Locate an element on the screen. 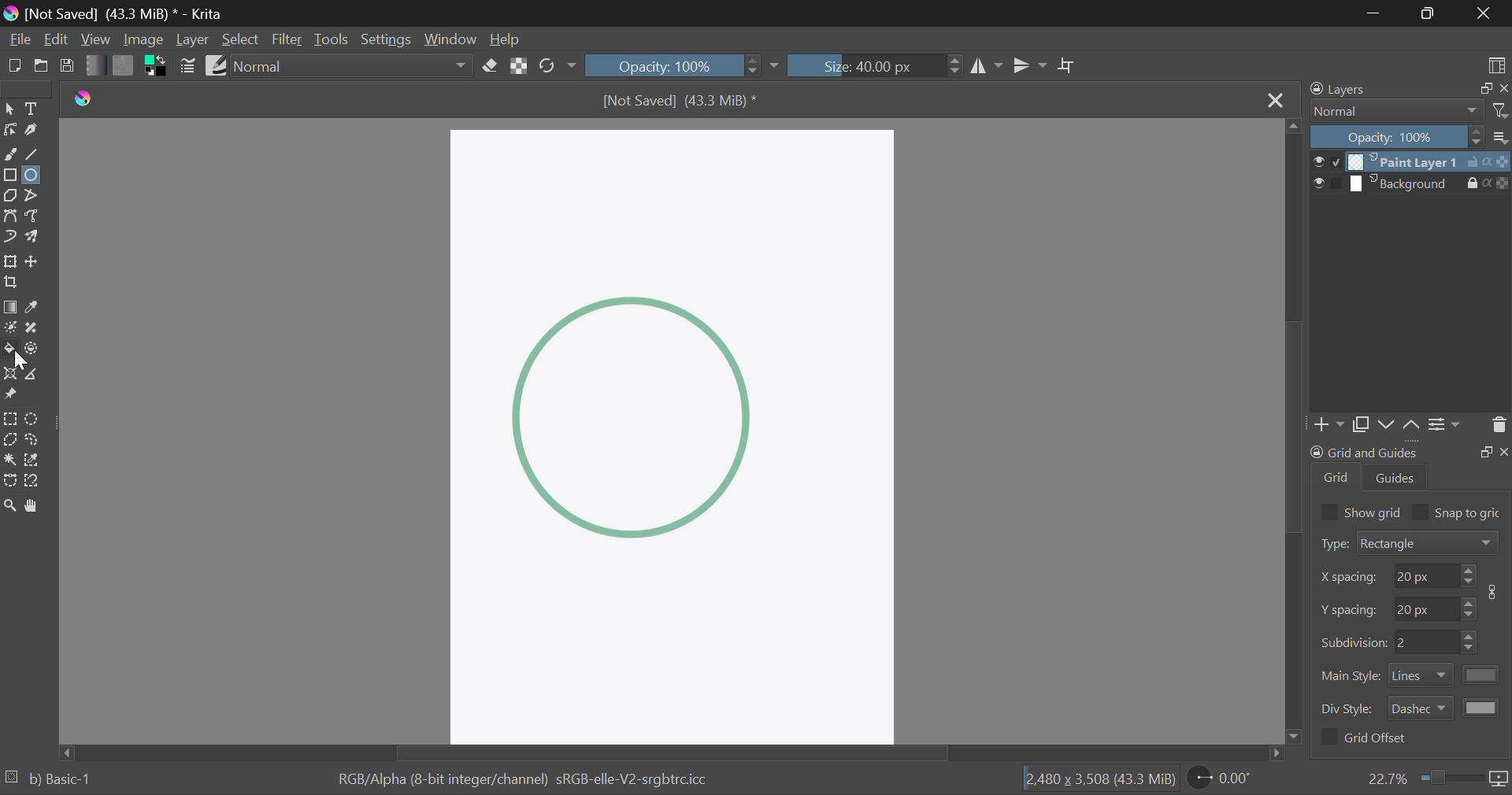 The image size is (1512, 795). Freehand is located at coordinates (11, 154).